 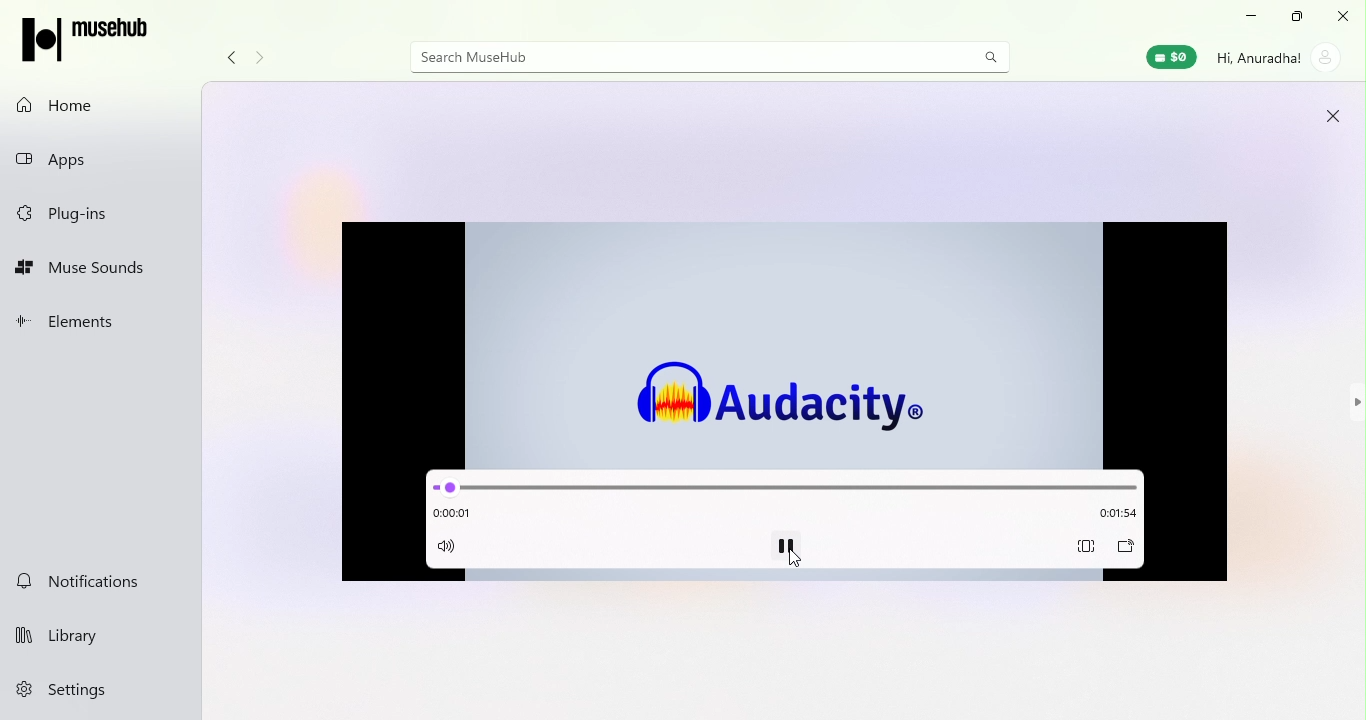 What do you see at coordinates (787, 547) in the screenshot?
I see `Pause` at bounding box center [787, 547].